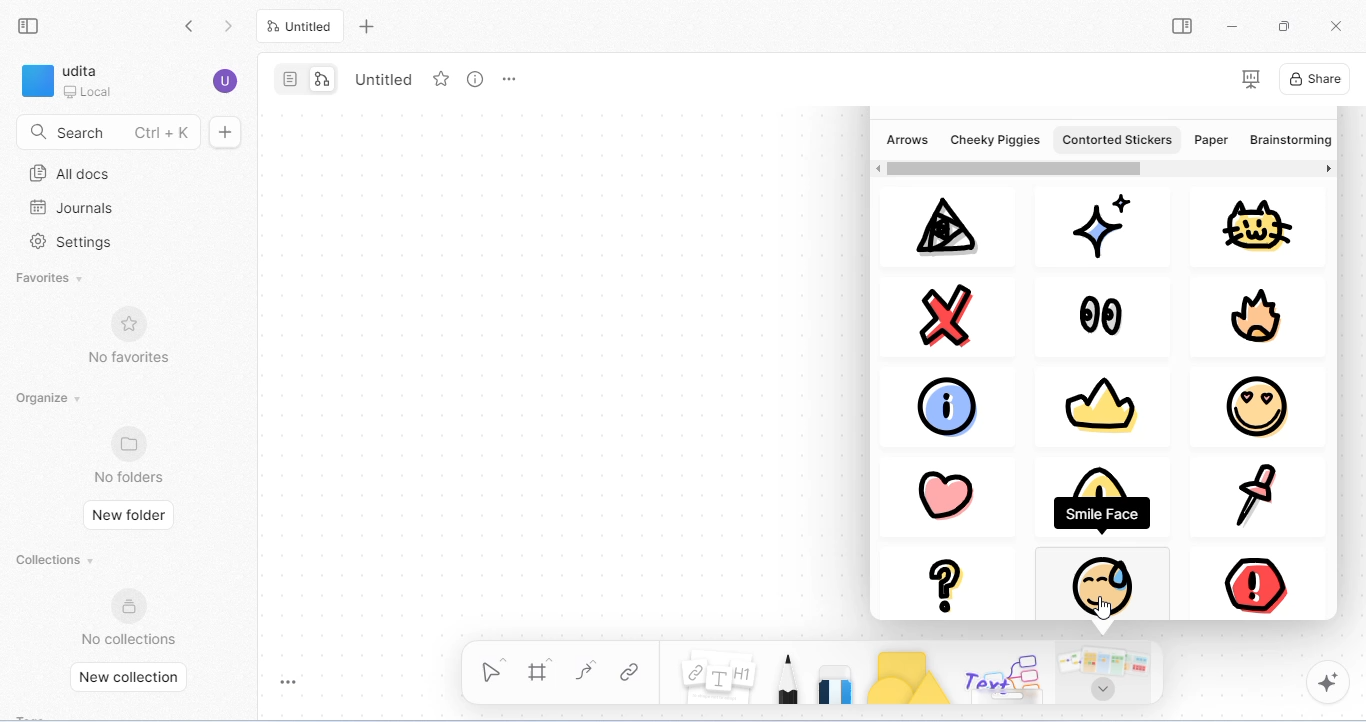 The height and width of the screenshot is (722, 1366). I want to click on account, so click(226, 81).